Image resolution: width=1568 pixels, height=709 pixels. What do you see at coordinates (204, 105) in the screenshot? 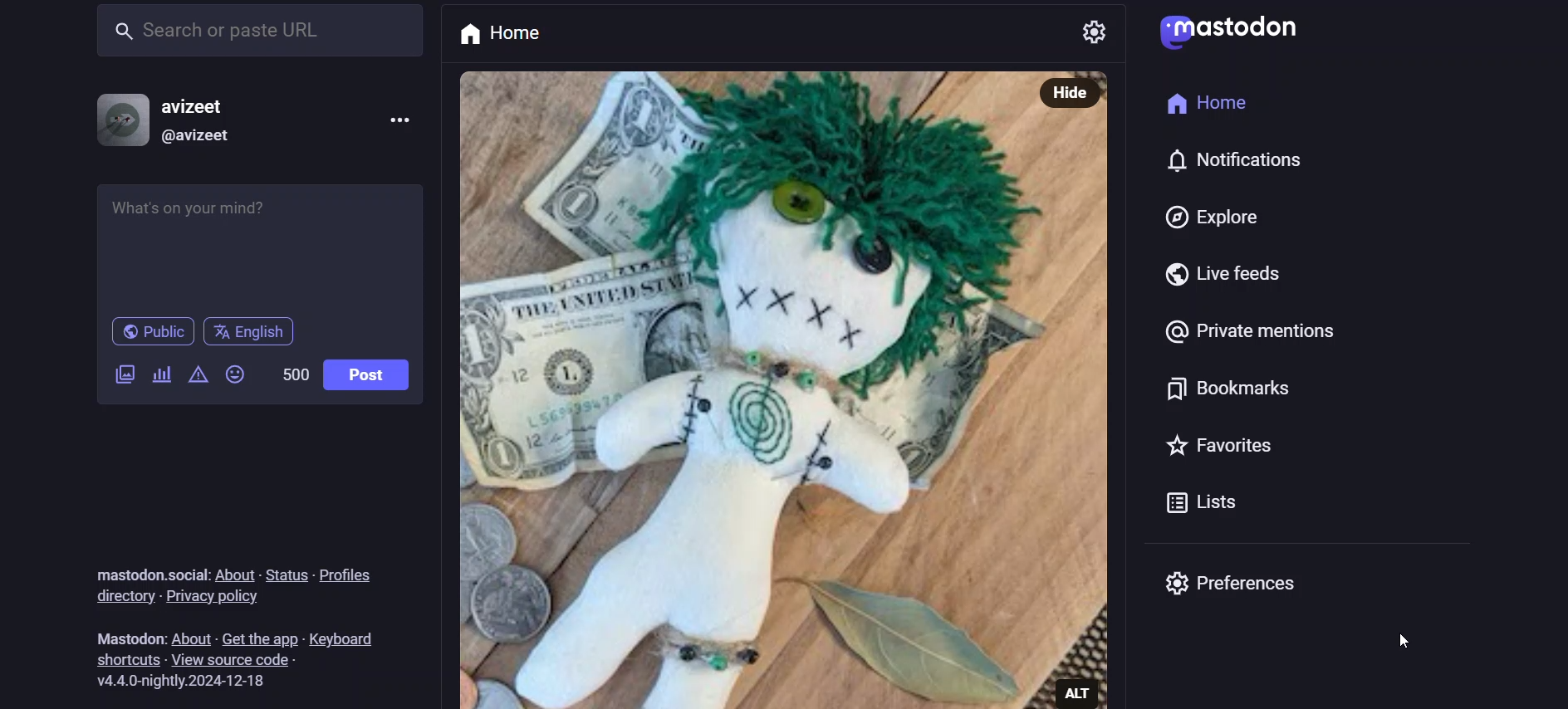
I see `avizeet` at bounding box center [204, 105].